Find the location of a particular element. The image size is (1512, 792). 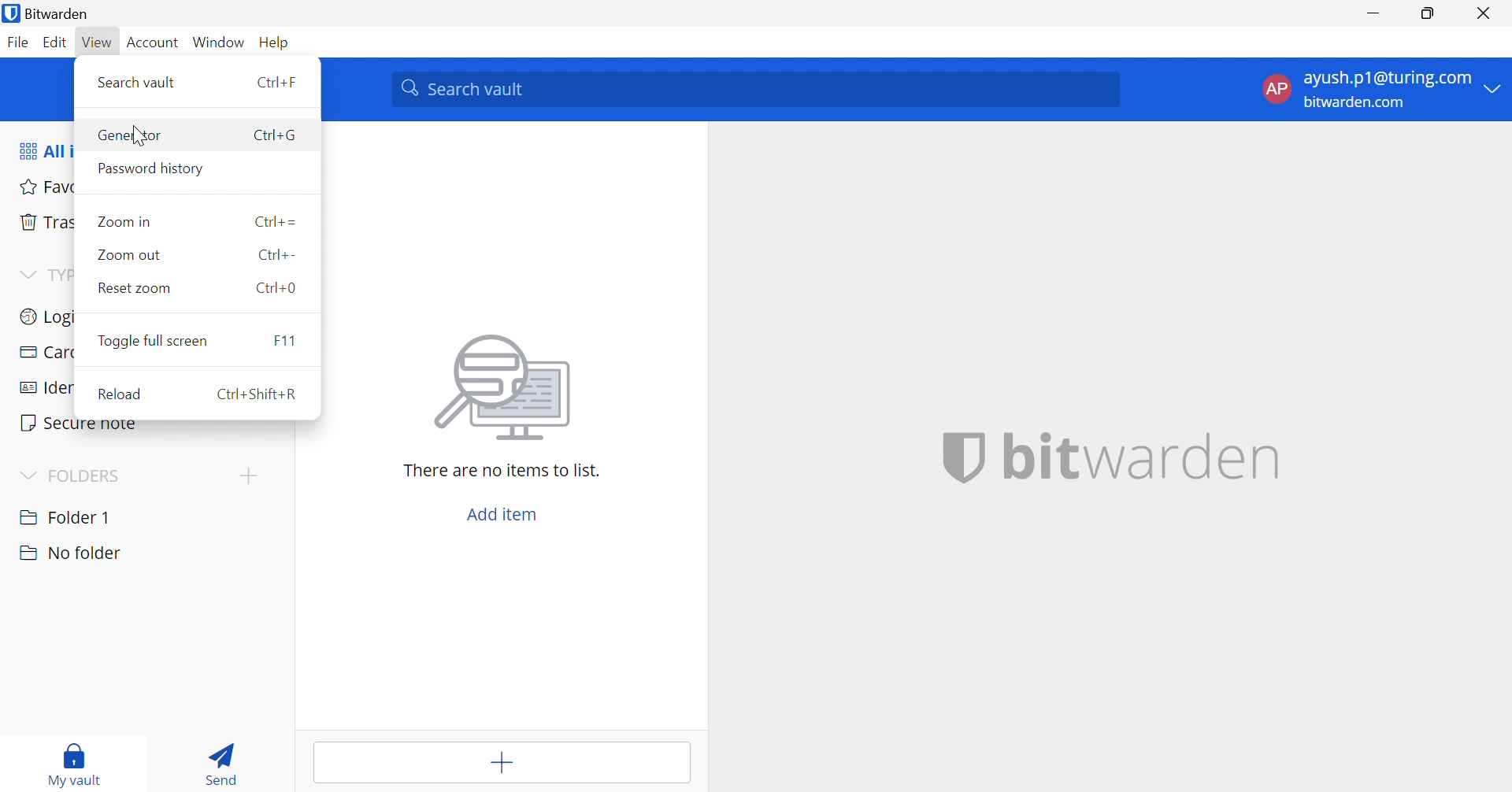

Account options  is located at coordinates (1385, 90).